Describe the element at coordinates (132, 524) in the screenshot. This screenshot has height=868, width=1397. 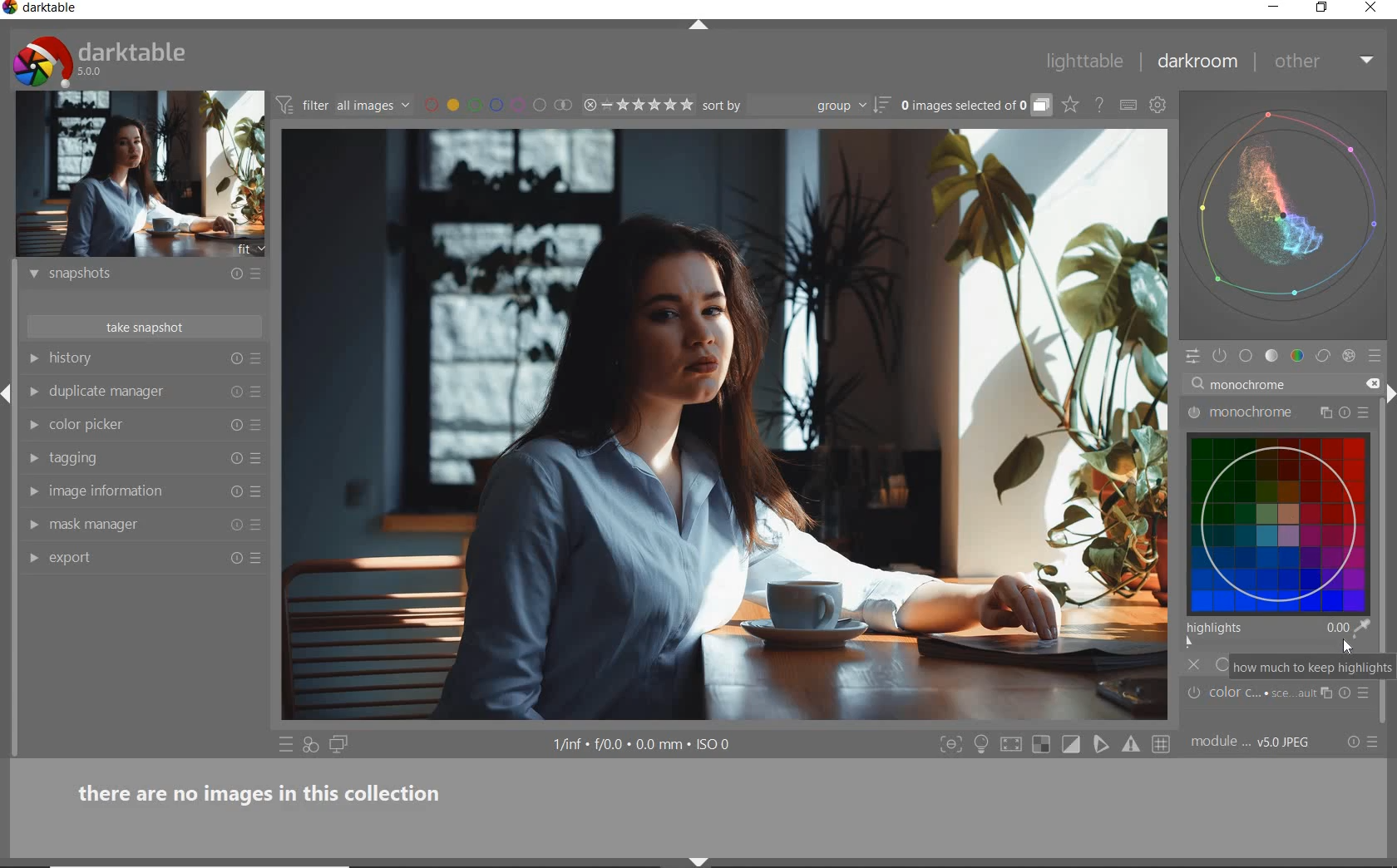
I see `mask manager` at that location.